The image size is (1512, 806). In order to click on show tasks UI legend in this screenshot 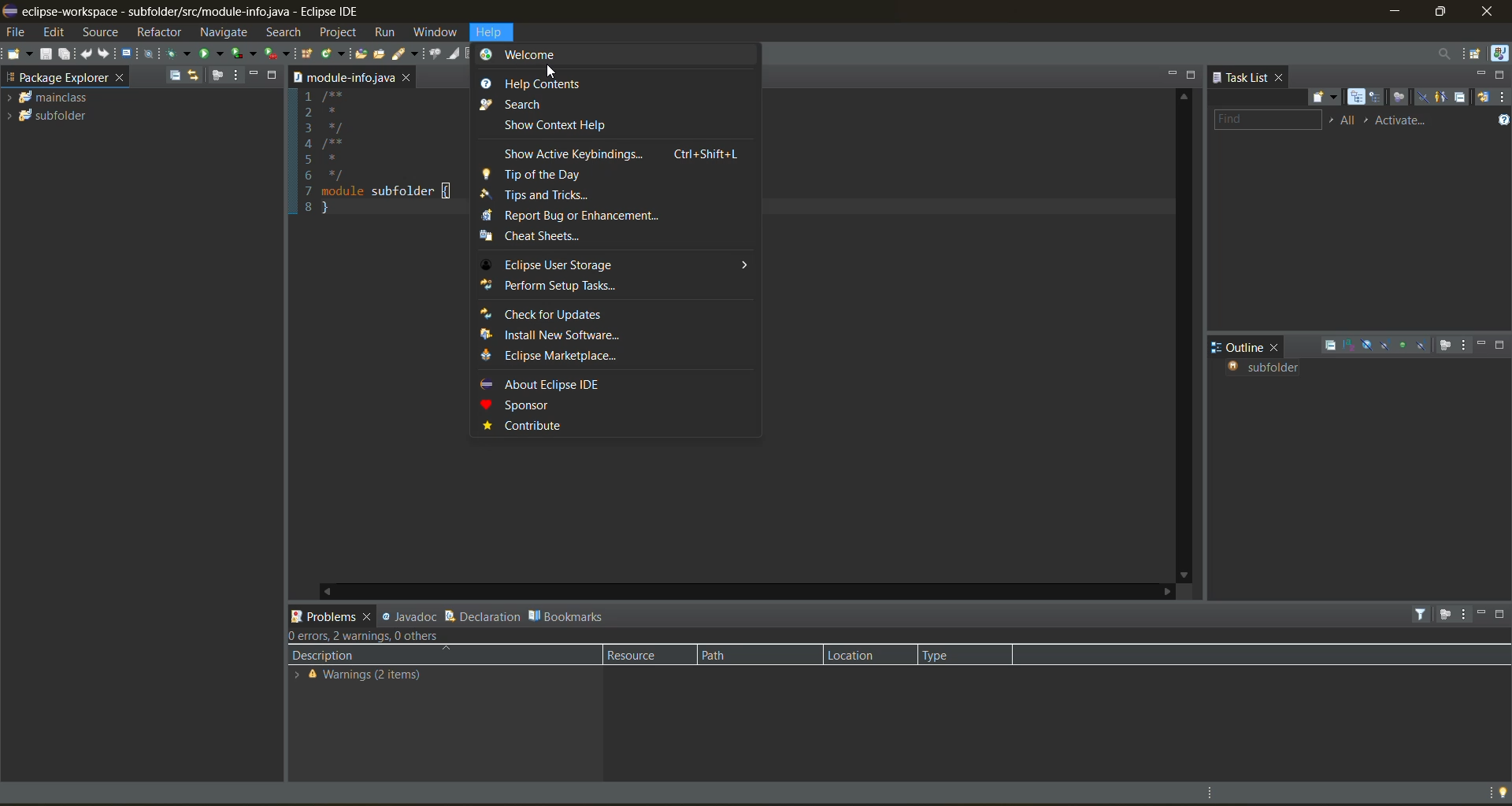, I will do `click(1503, 119)`.